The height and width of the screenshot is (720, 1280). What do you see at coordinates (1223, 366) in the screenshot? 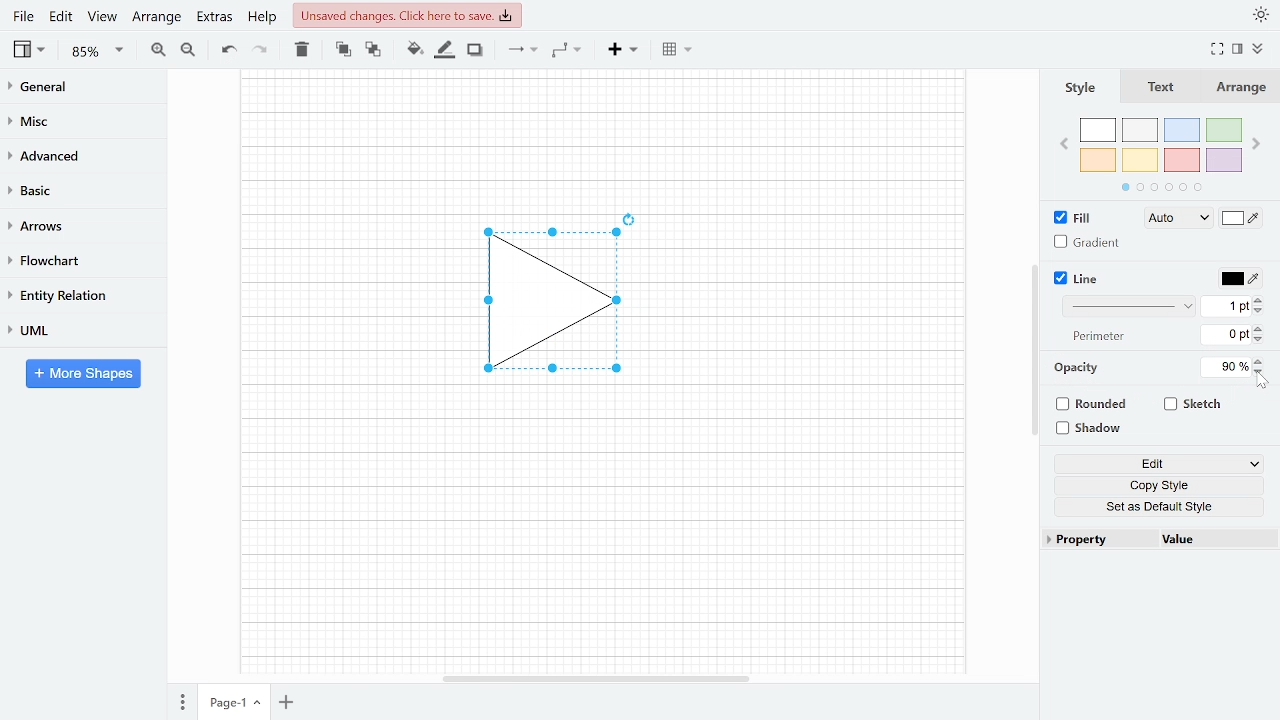
I see `Current Opacity` at bounding box center [1223, 366].